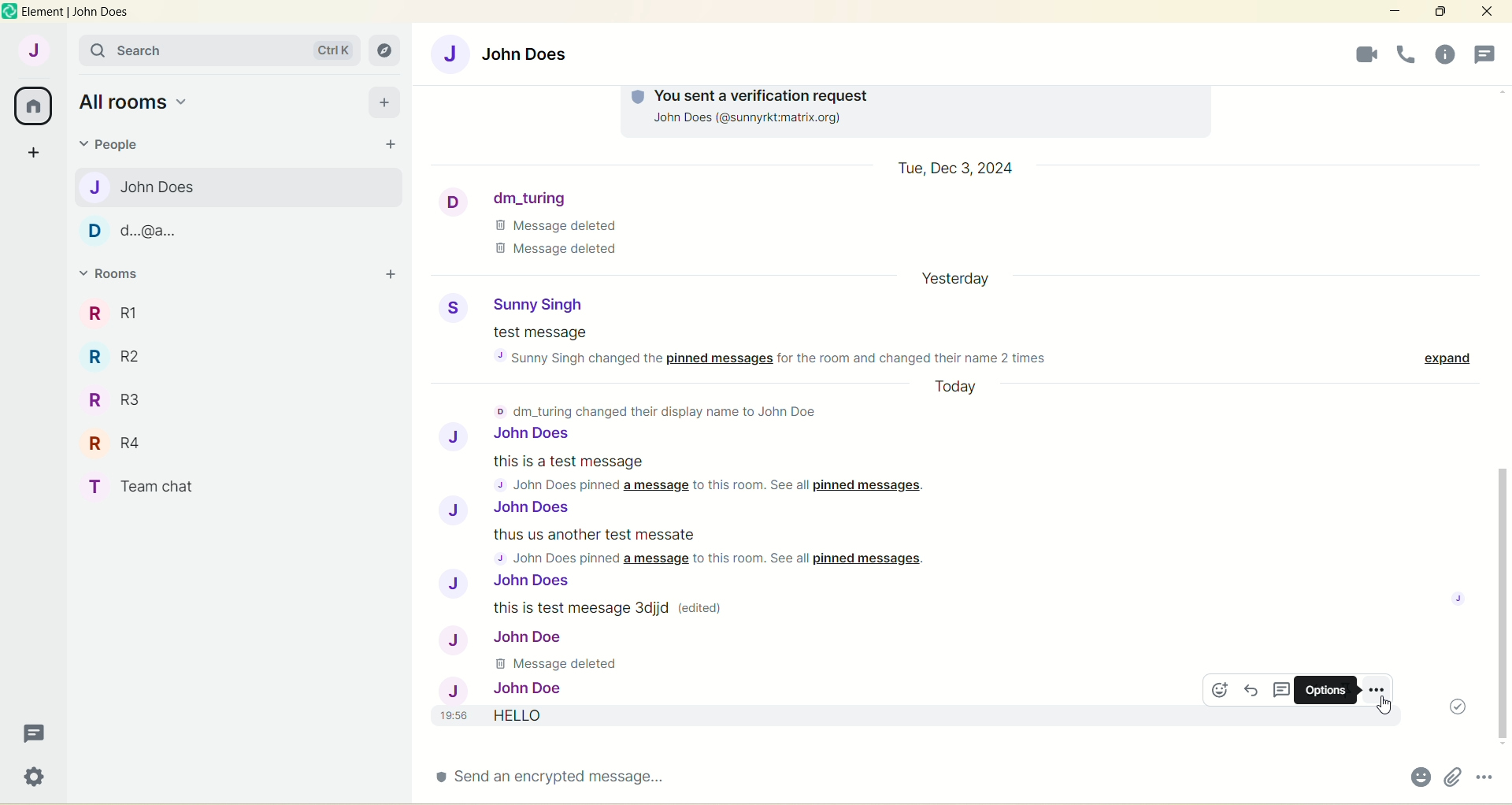 The height and width of the screenshot is (805, 1512). I want to click on all rooms, so click(35, 105).